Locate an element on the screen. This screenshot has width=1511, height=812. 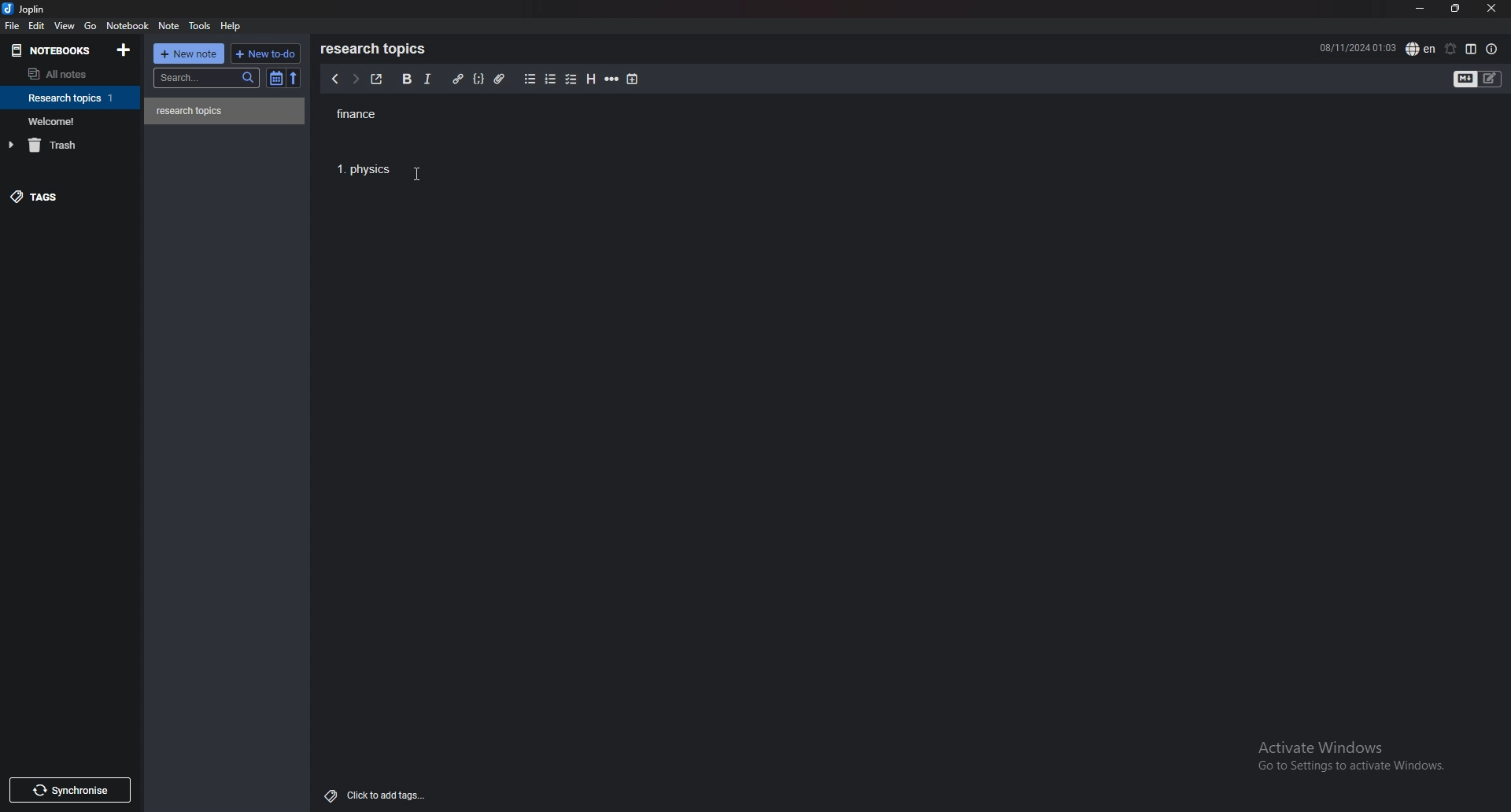
horizontal rule is located at coordinates (613, 79).